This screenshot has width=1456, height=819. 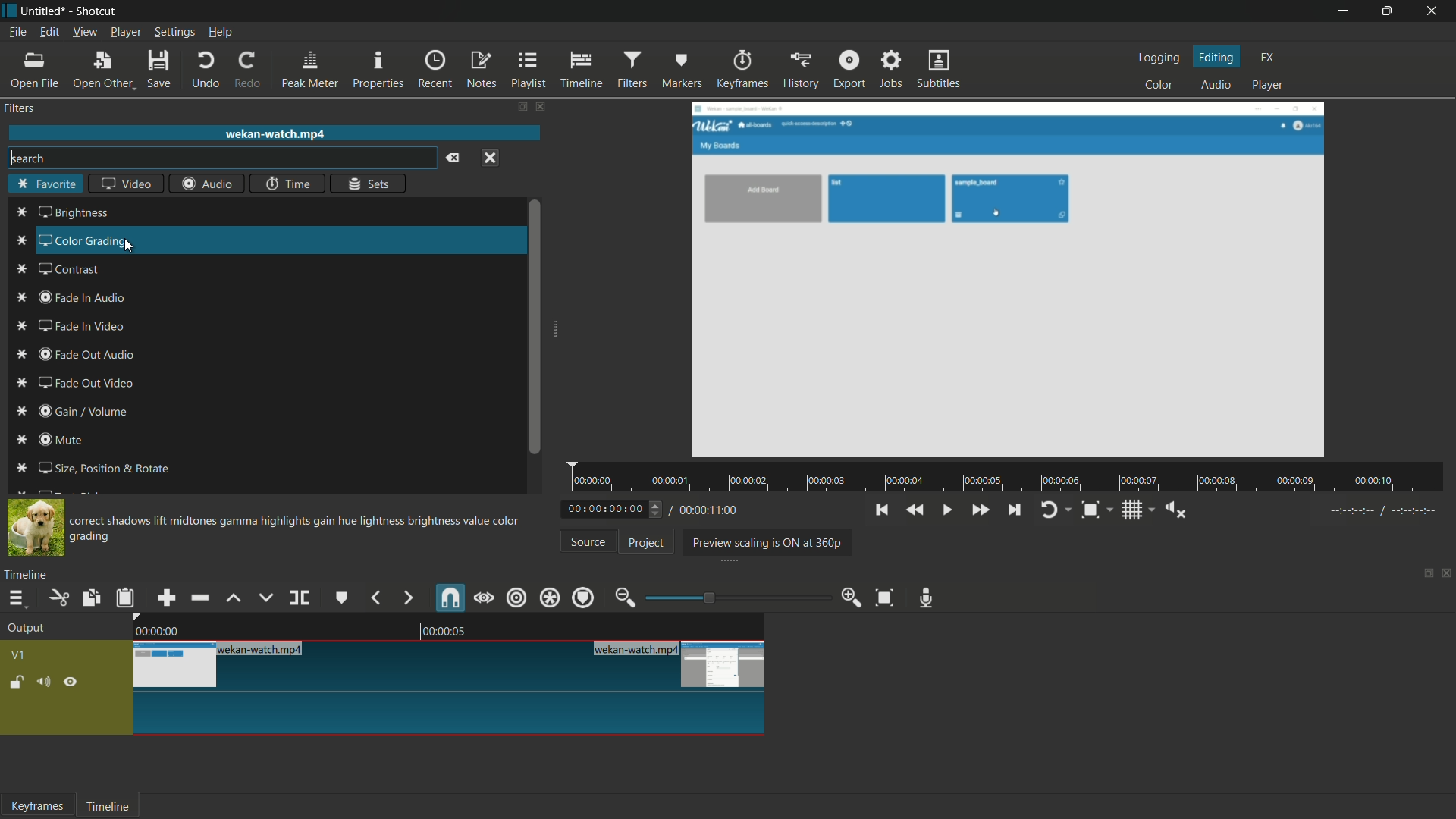 I want to click on preview video, so click(x=1011, y=281).